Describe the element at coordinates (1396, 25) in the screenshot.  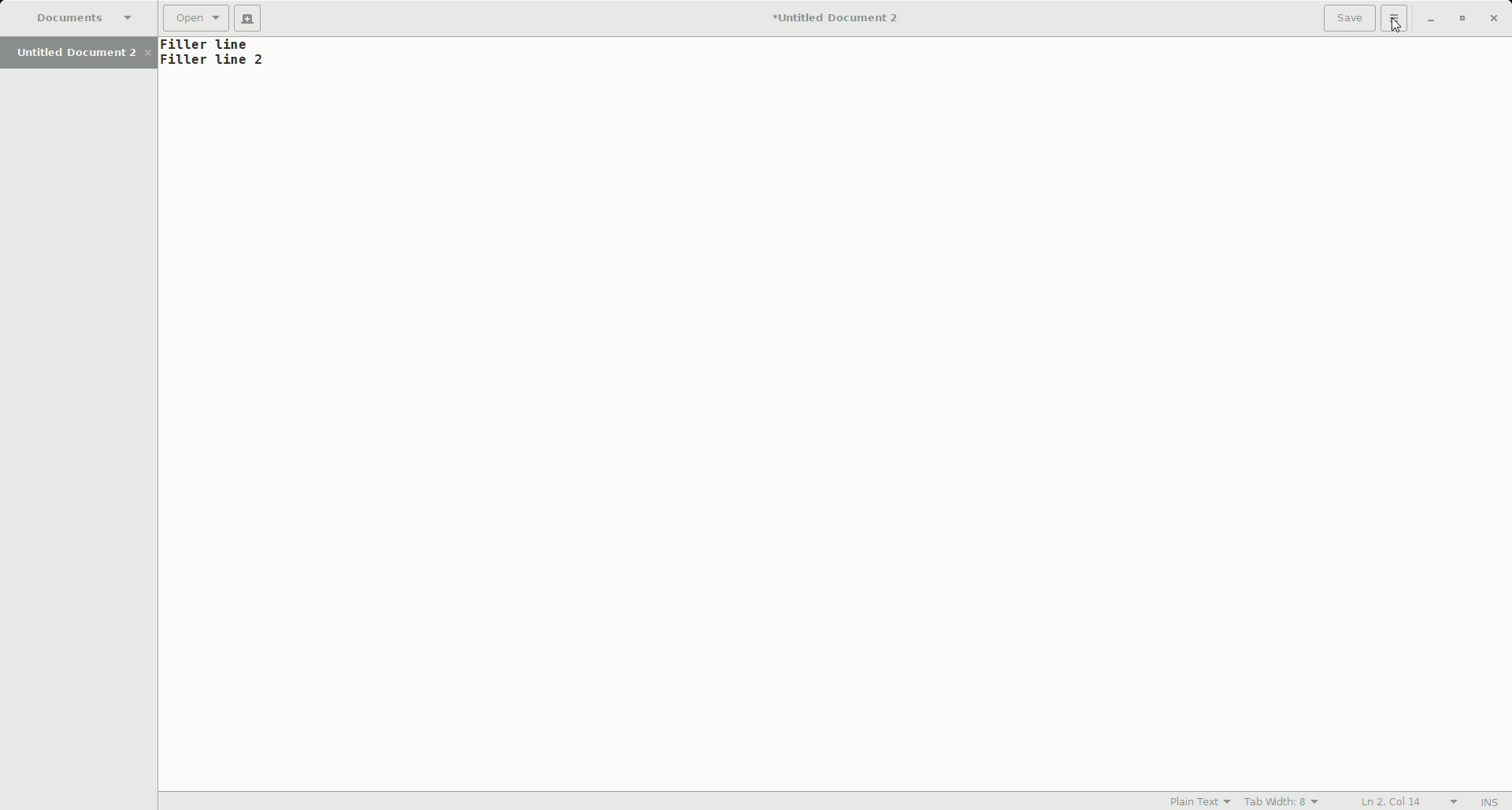
I see `Cursor` at that location.